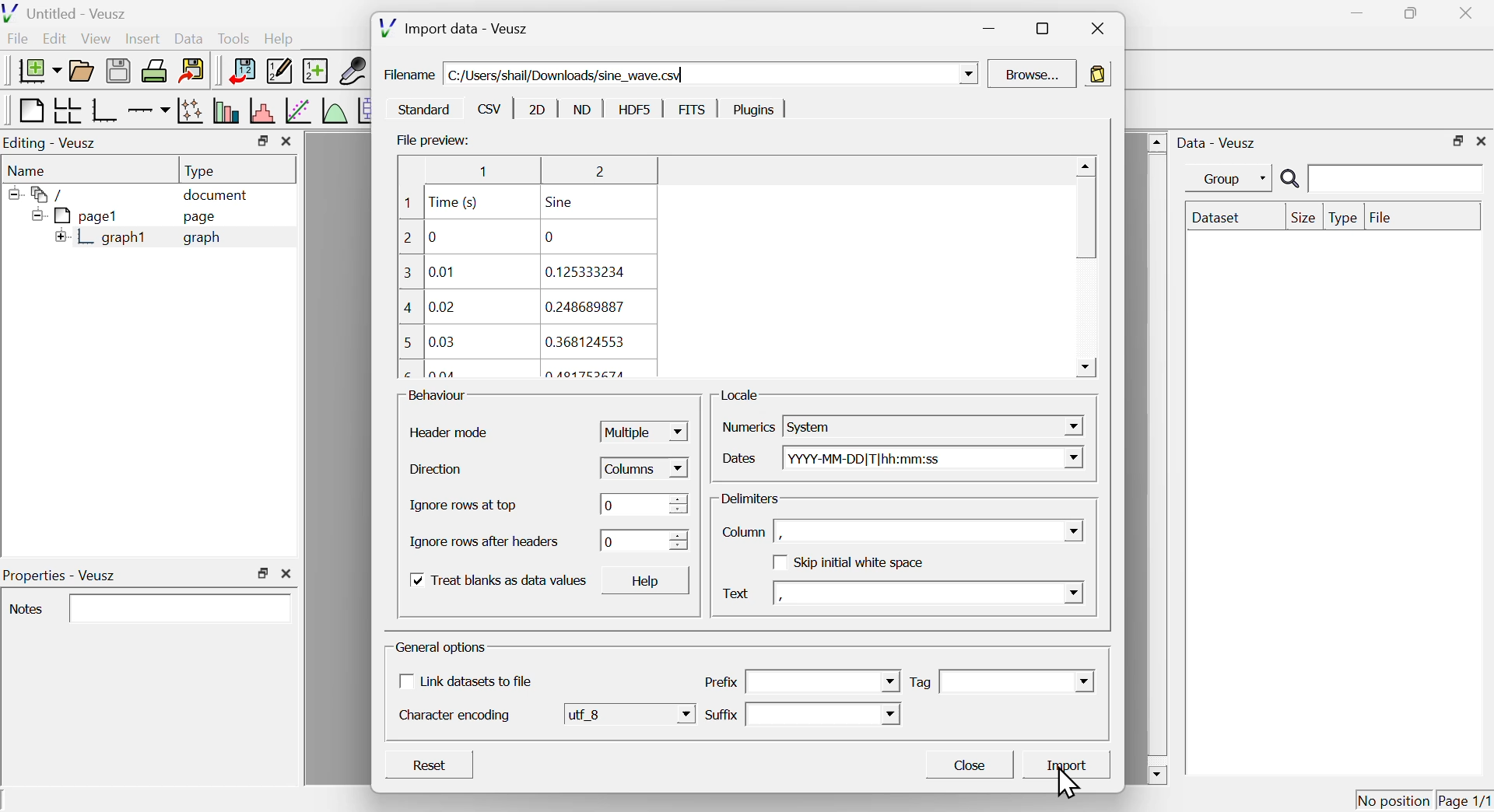  What do you see at coordinates (404, 681) in the screenshot?
I see `off` at bounding box center [404, 681].